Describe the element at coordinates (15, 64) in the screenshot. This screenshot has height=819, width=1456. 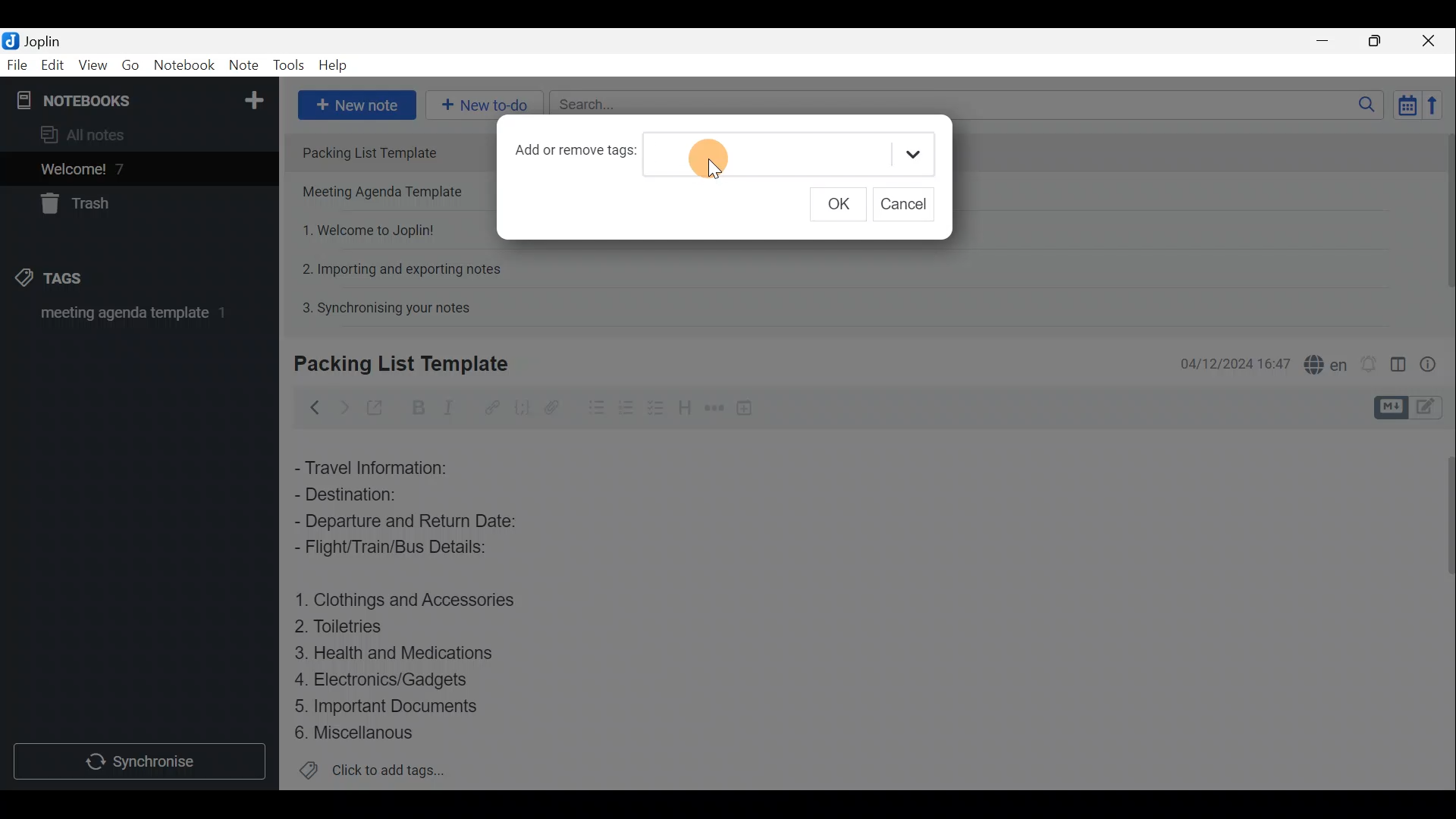
I see `File` at that location.